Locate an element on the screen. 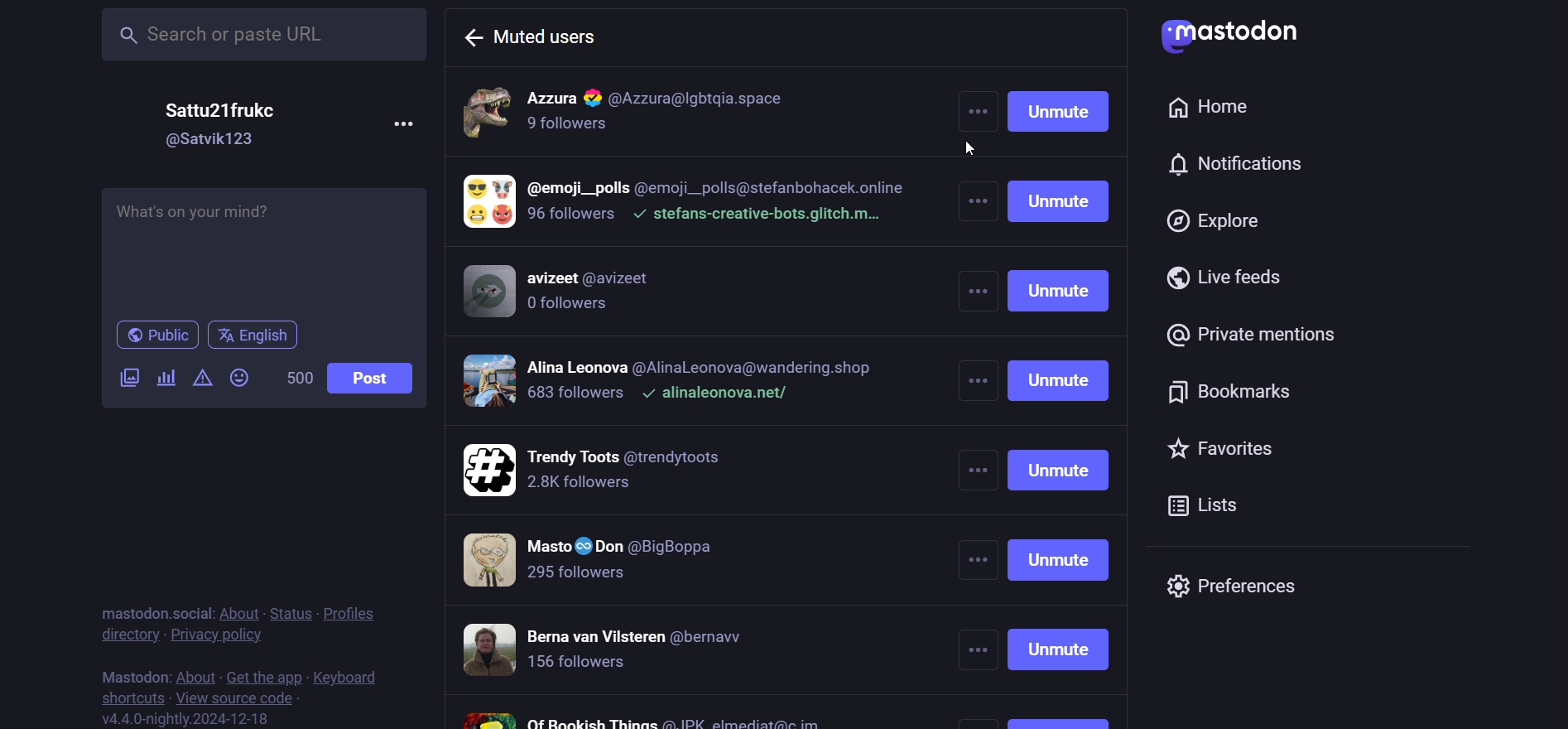 Image resolution: width=1568 pixels, height=729 pixels. word limit is located at coordinates (295, 378).